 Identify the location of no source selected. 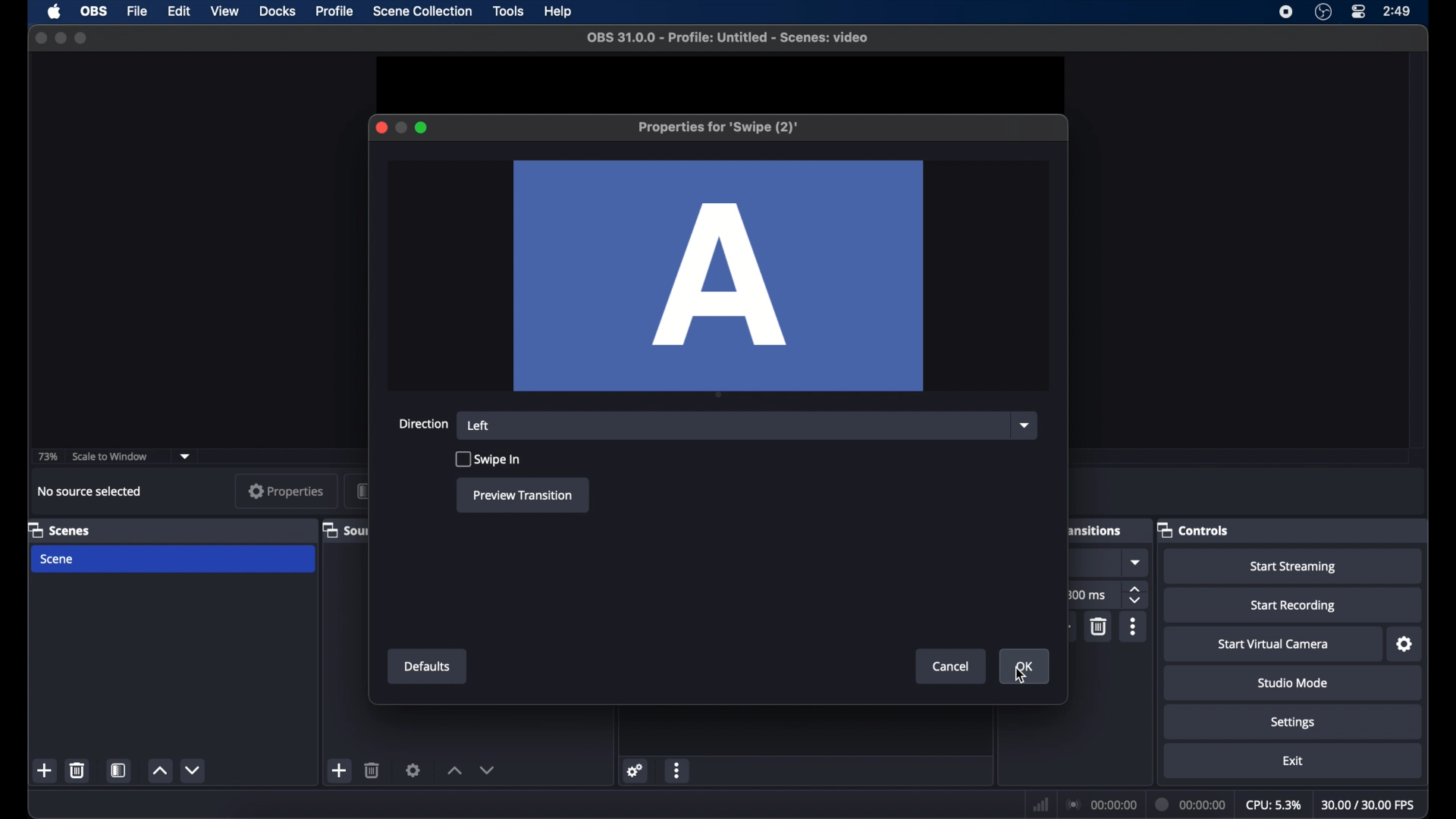
(91, 491).